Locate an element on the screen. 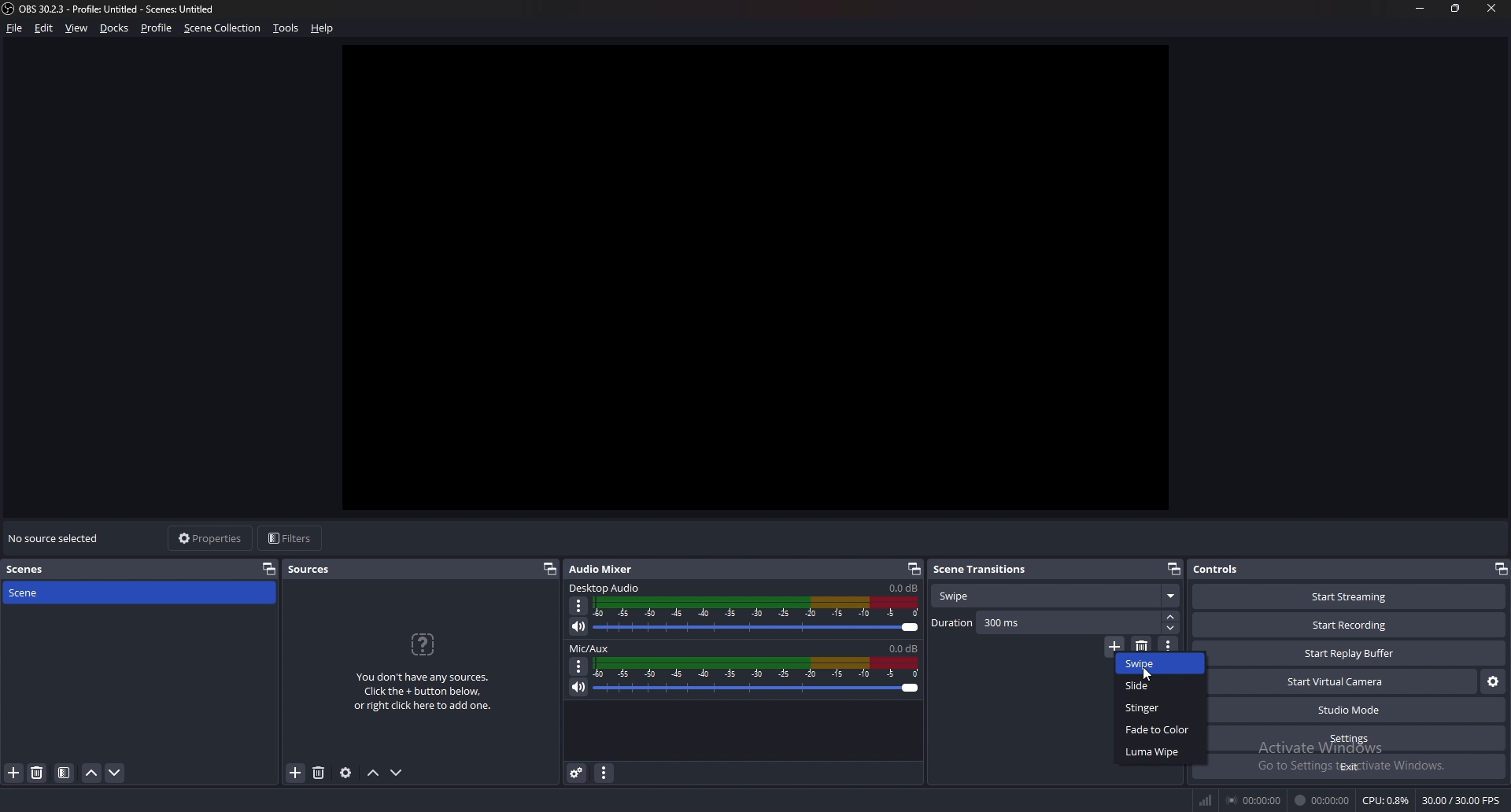 This screenshot has width=1511, height=812. start play buffer is located at coordinates (1357, 653).